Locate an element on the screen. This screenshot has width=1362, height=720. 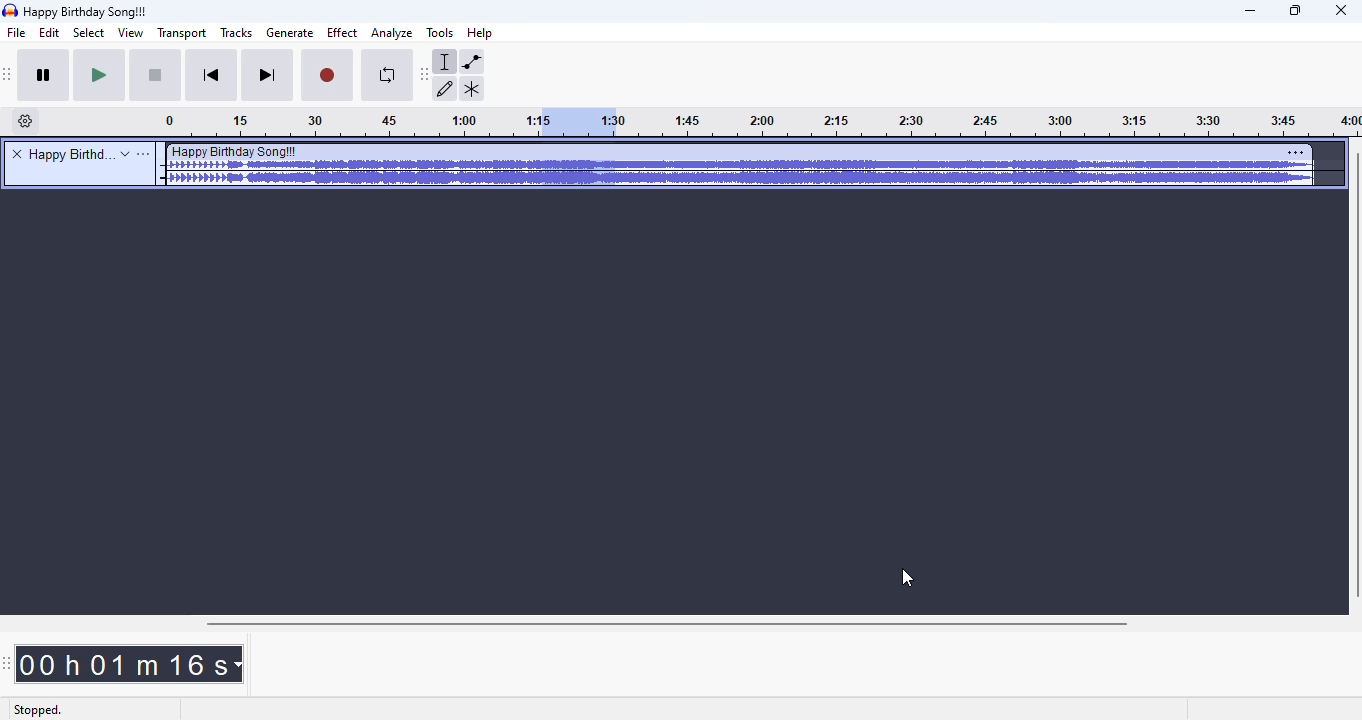
stop is located at coordinates (157, 77).